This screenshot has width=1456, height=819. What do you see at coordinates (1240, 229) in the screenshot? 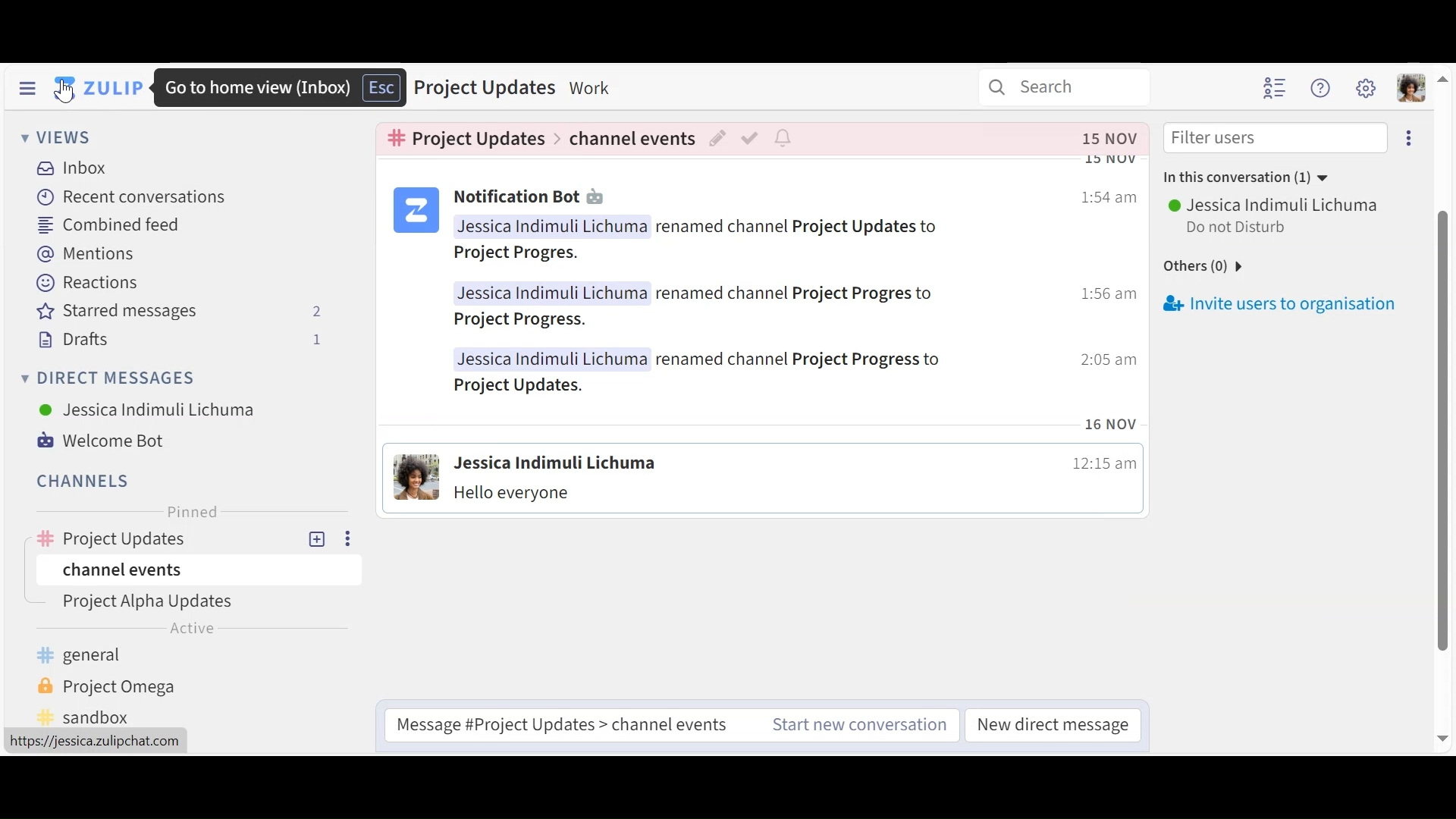
I see `Do not Disturb` at bounding box center [1240, 229].